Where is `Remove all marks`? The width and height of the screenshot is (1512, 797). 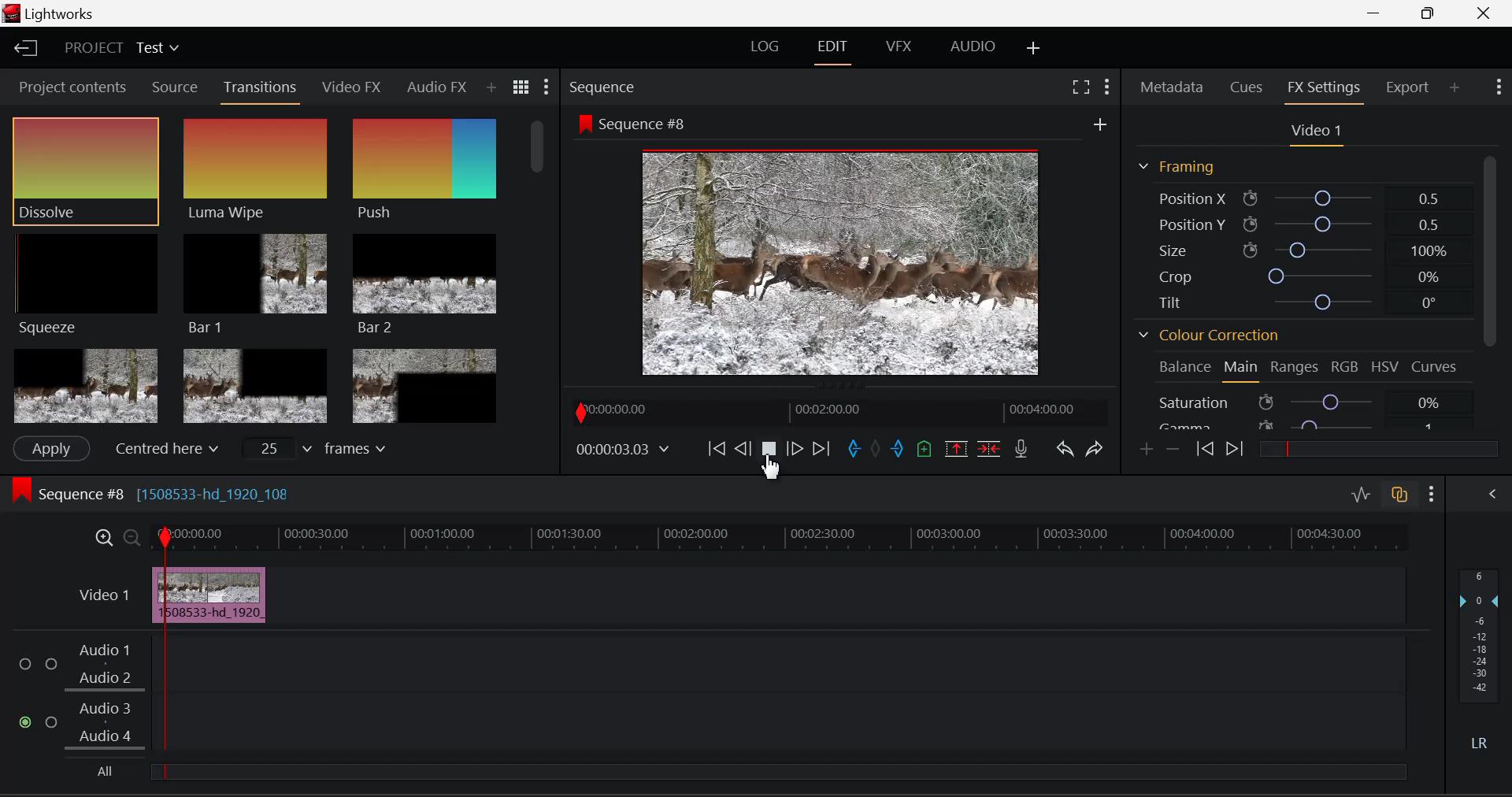 Remove all marks is located at coordinates (875, 451).